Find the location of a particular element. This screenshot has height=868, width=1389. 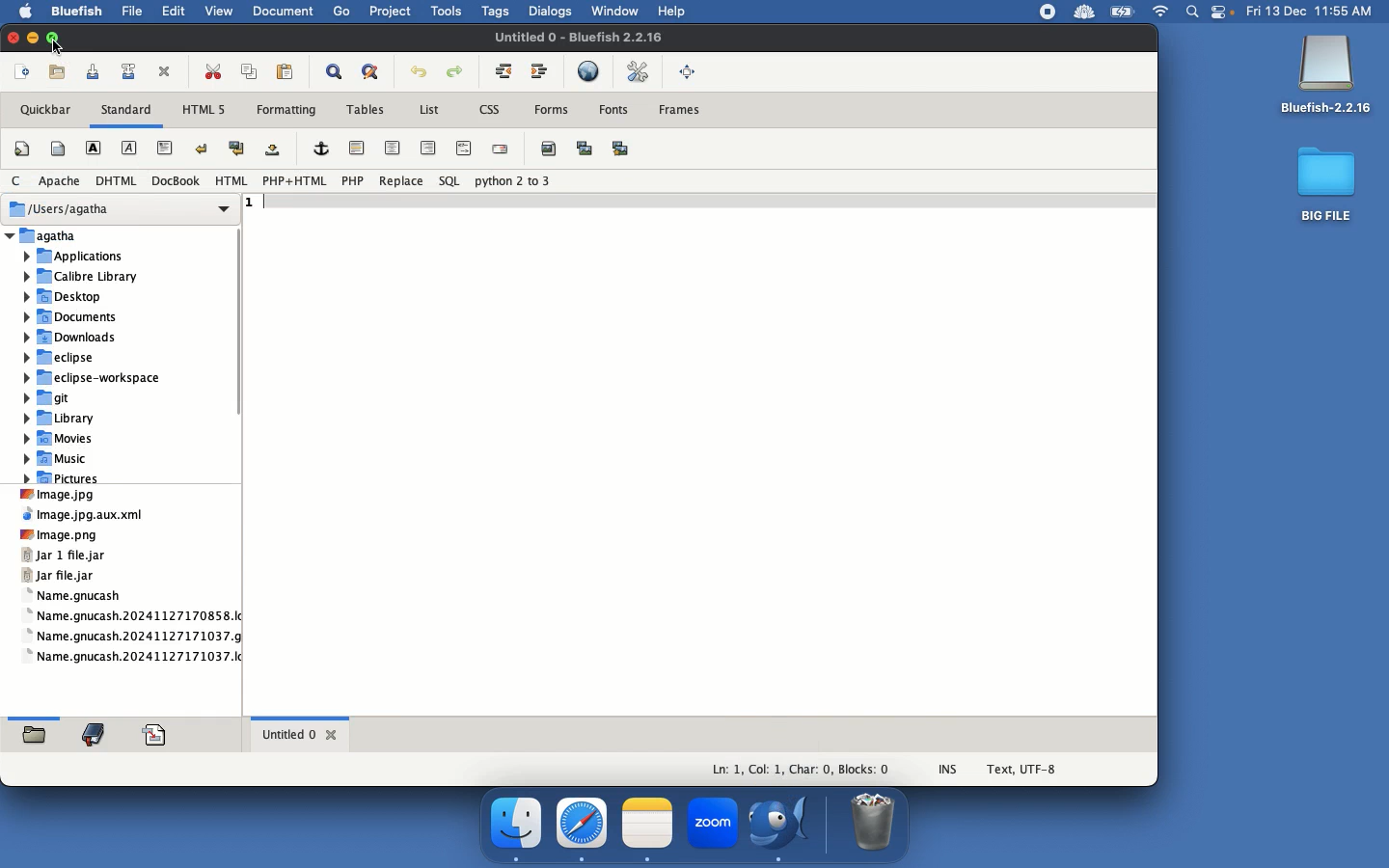

Preview in browser is located at coordinates (591, 73).